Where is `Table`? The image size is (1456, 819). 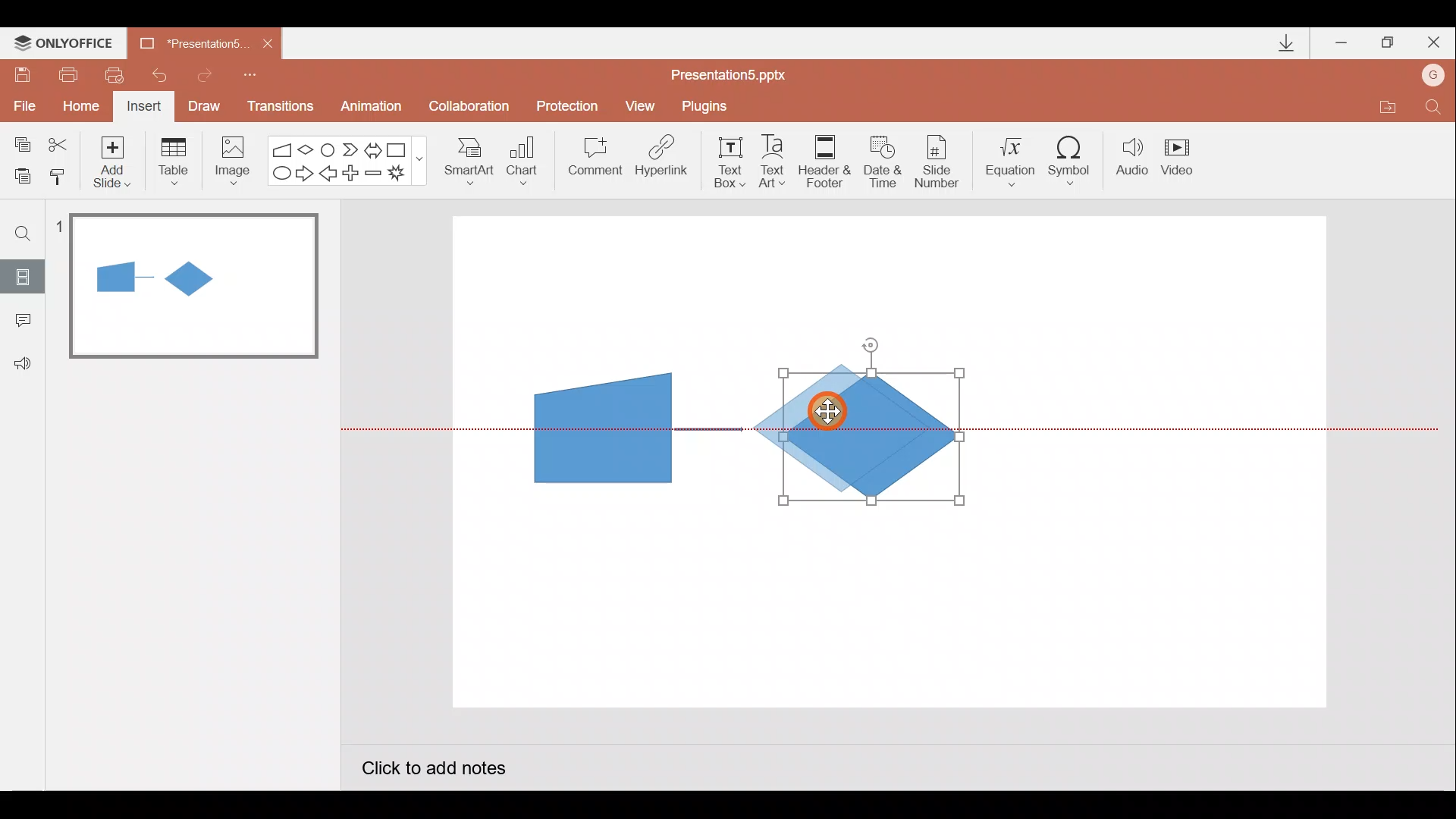
Table is located at coordinates (172, 160).